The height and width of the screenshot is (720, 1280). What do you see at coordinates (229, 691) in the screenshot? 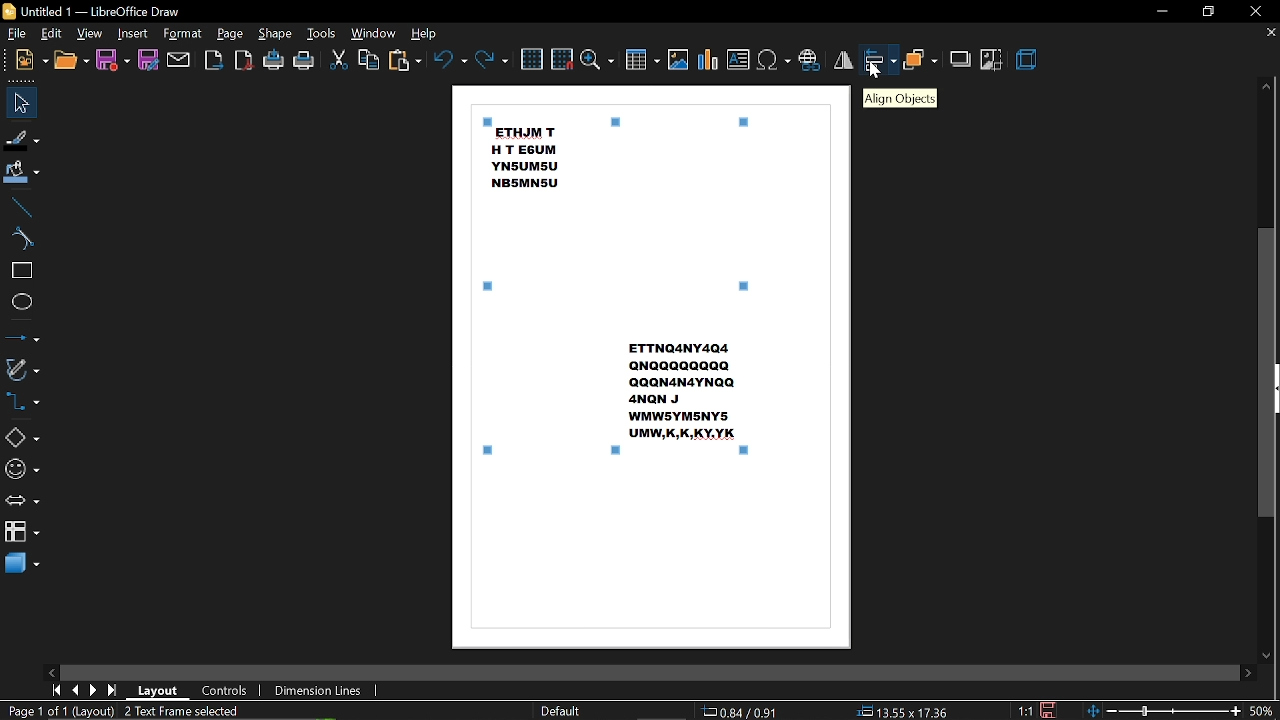
I see `controls` at bounding box center [229, 691].